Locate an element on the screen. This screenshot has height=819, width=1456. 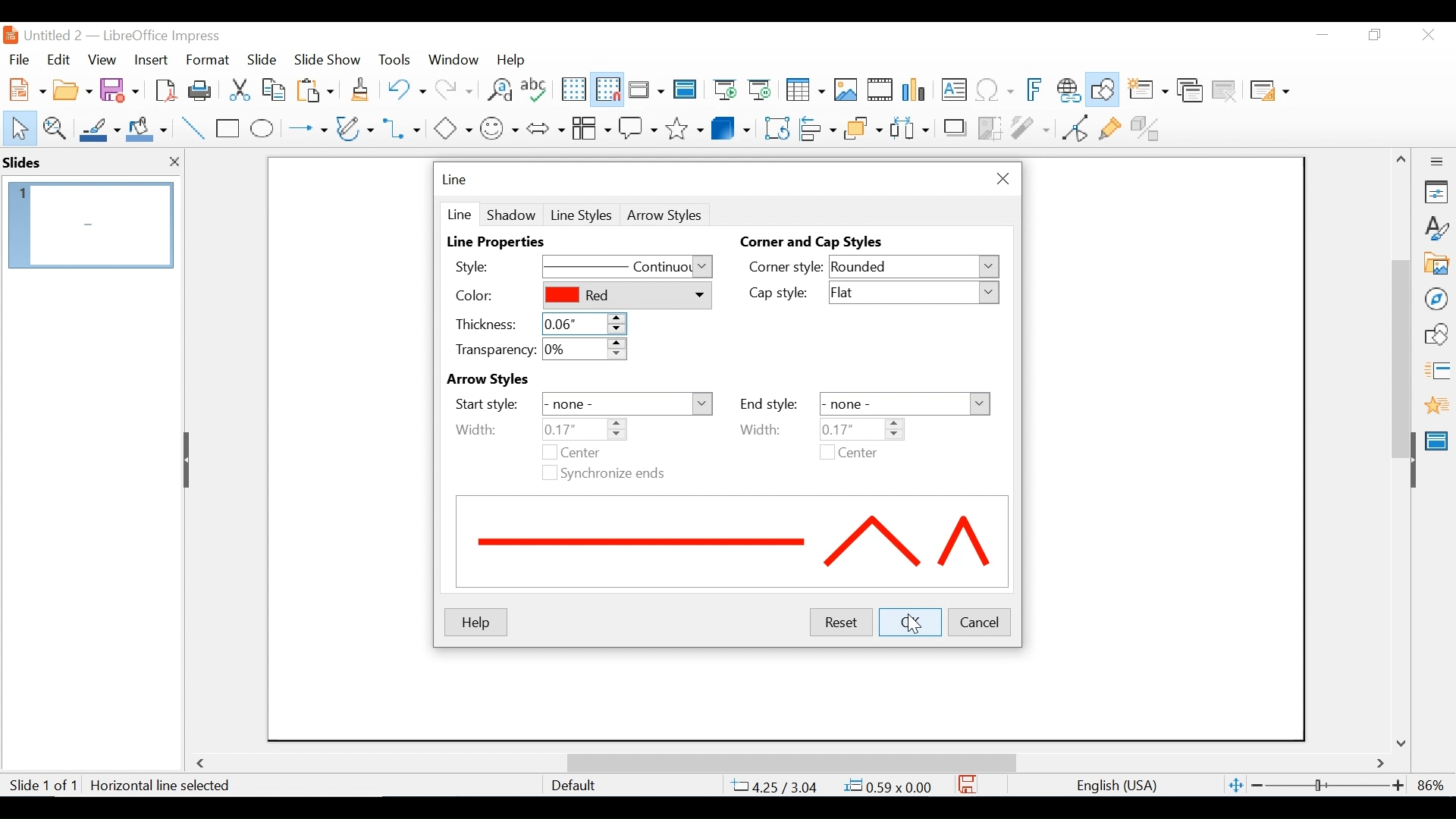
Transparency is located at coordinates (493, 350).